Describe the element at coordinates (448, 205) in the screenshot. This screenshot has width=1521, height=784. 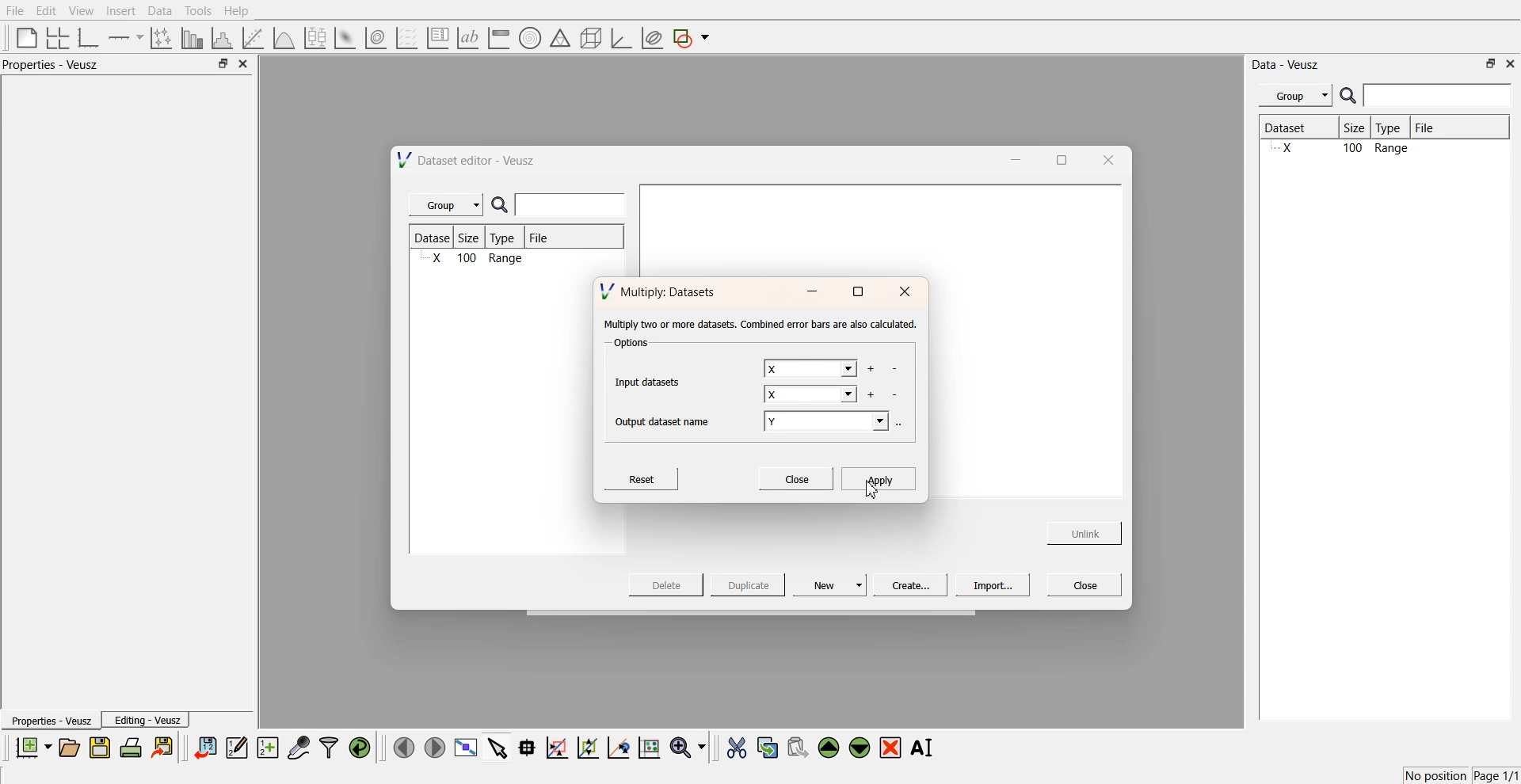
I see `Group |` at that location.